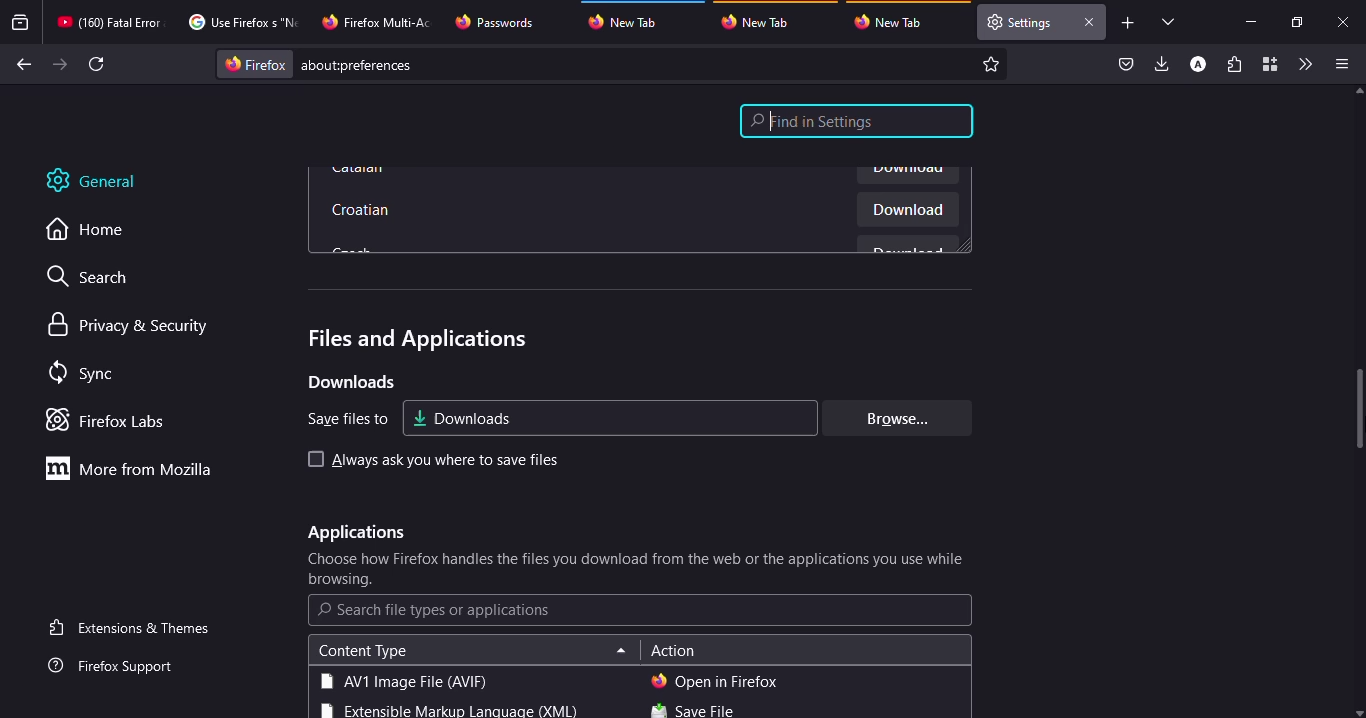 The image size is (1366, 718). What do you see at coordinates (21, 65) in the screenshot?
I see `back` at bounding box center [21, 65].